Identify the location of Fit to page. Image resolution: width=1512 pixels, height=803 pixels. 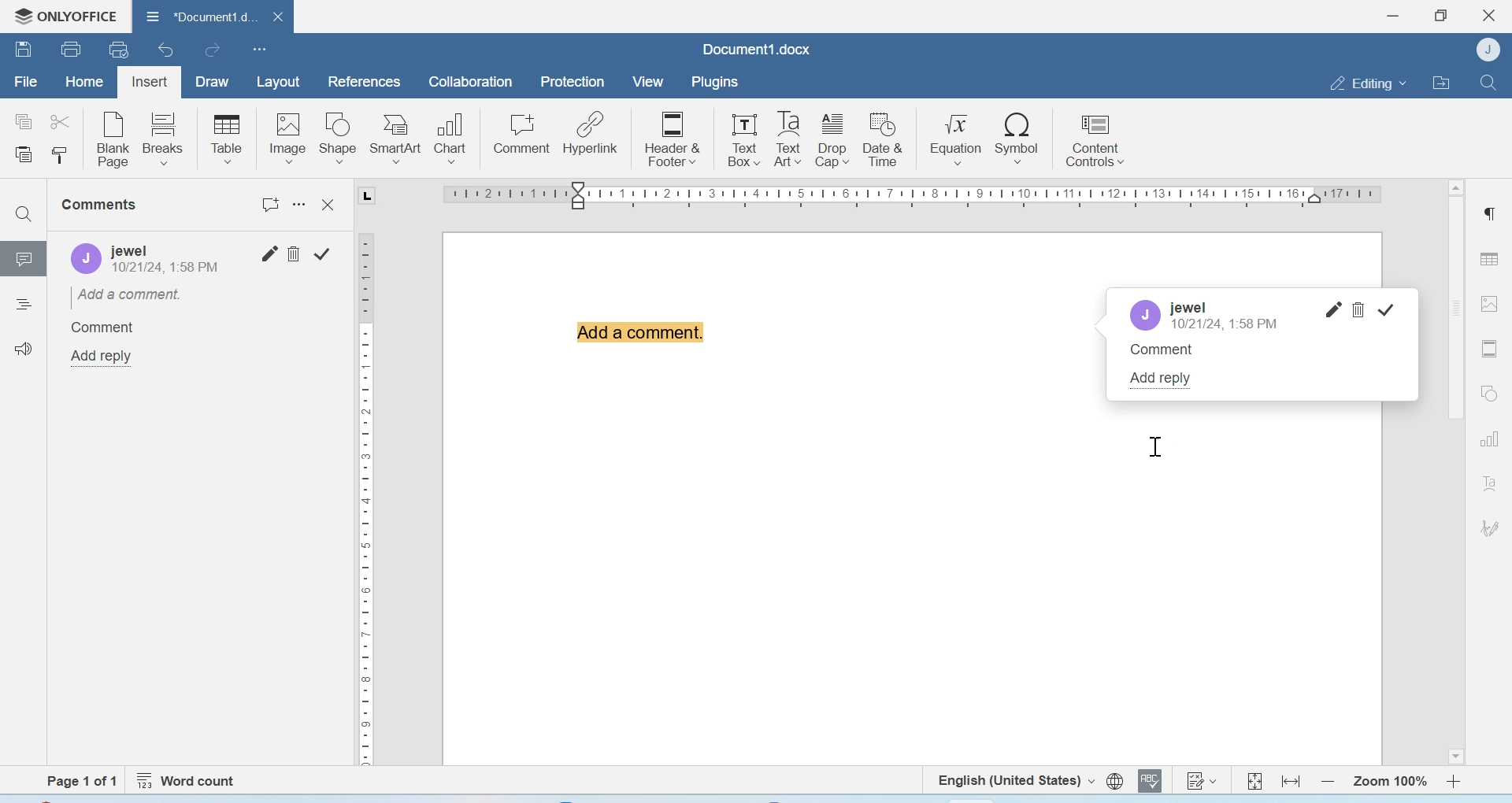
(1255, 780).